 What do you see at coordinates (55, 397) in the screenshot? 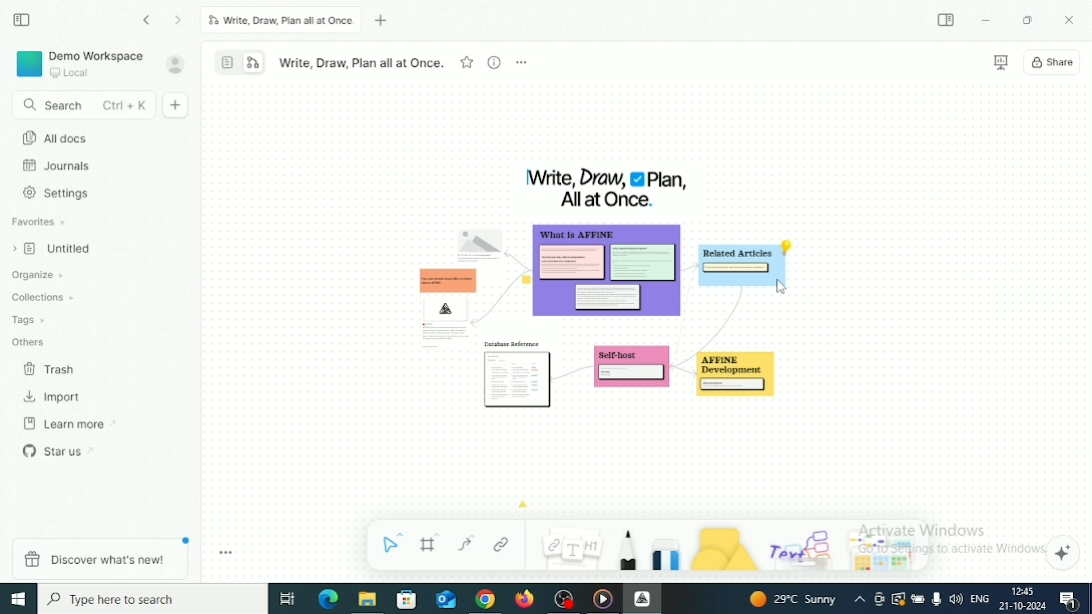
I see `Import` at bounding box center [55, 397].